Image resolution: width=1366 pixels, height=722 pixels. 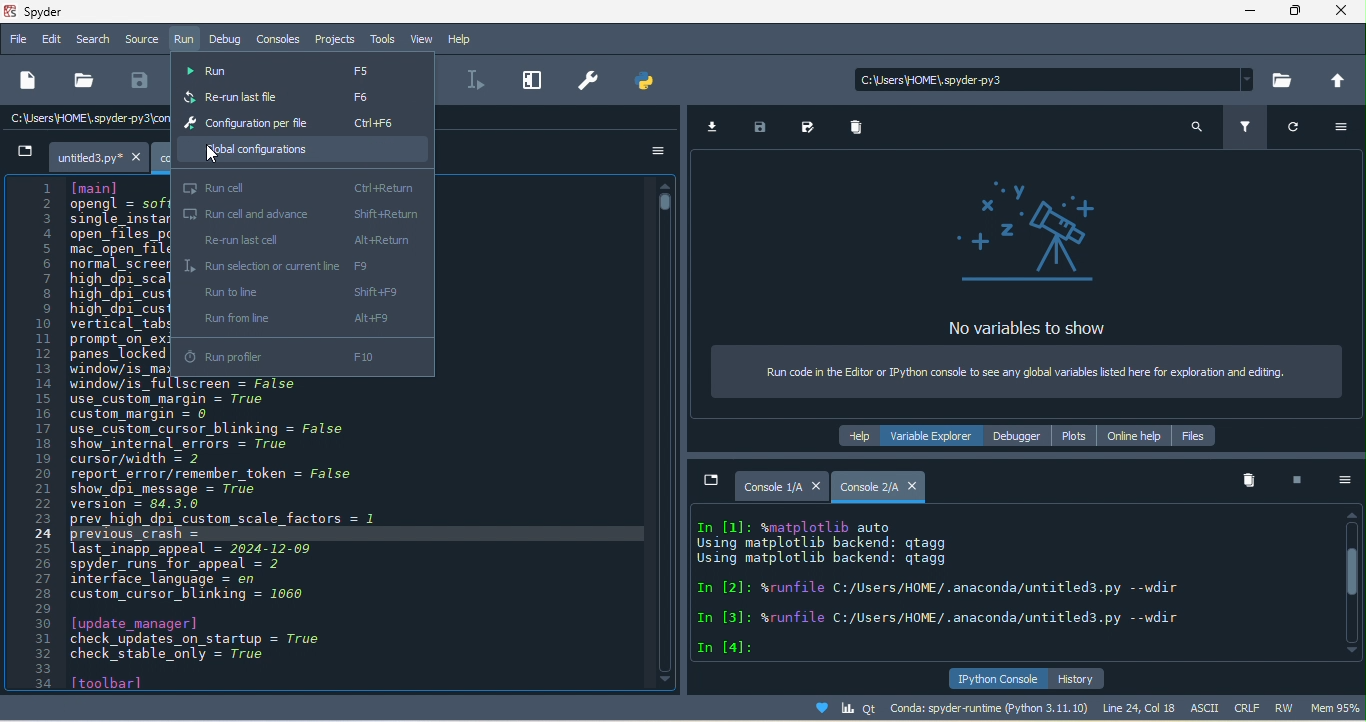 I want to click on run code in the editor , so click(x=1024, y=369).